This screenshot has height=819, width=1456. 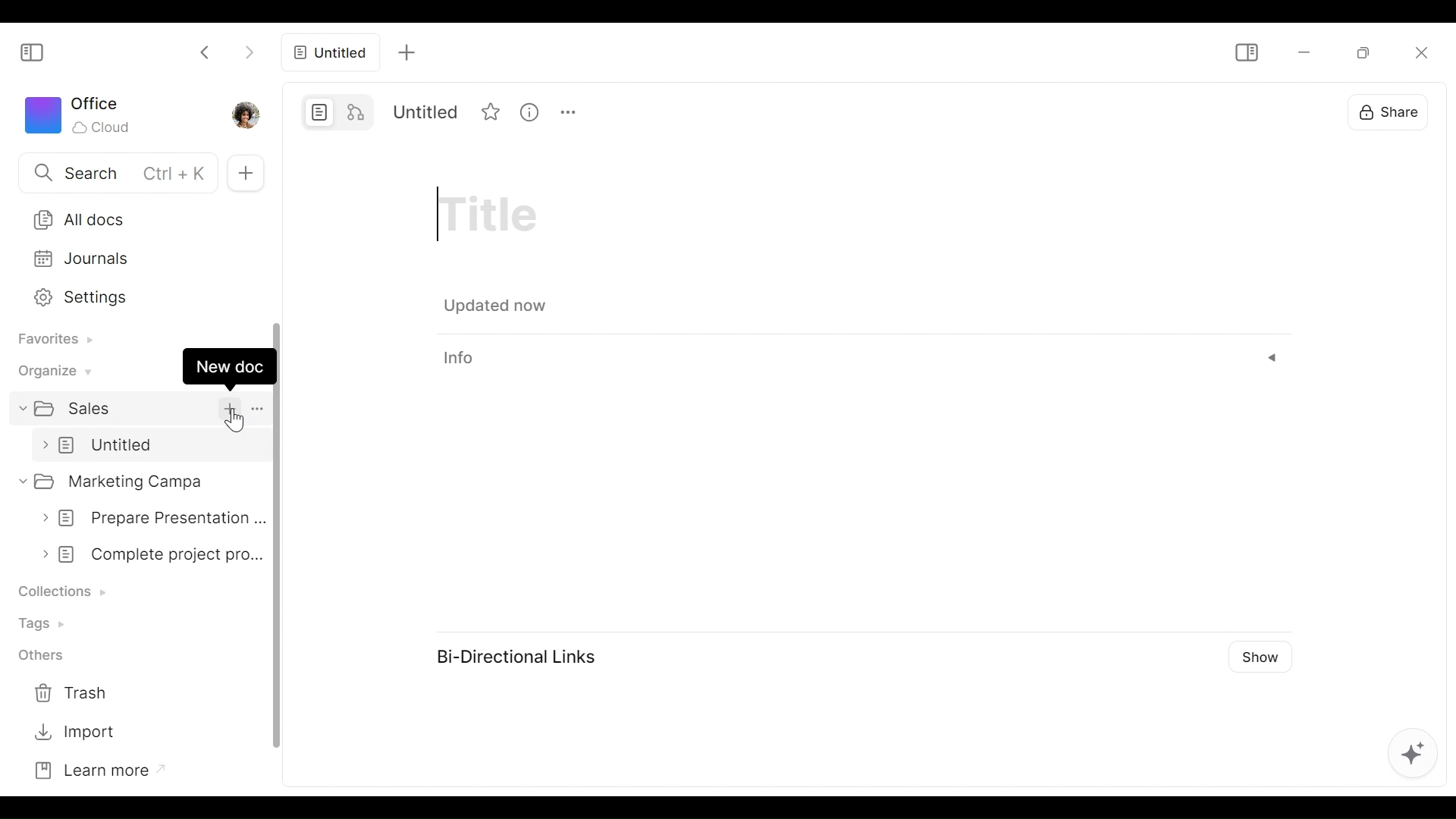 I want to click on New doc, so click(x=229, y=366).